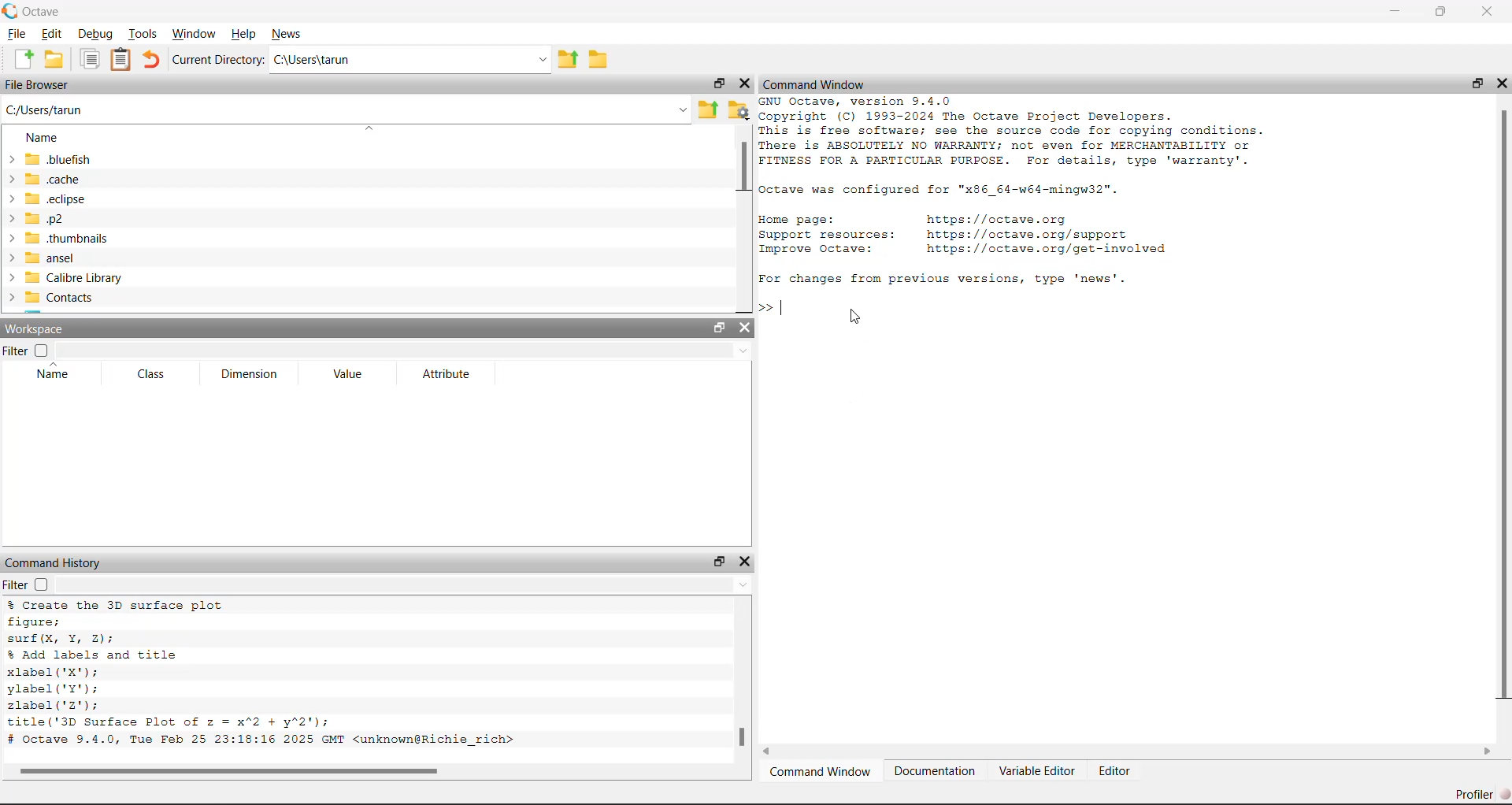 The height and width of the screenshot is (805, 1512). Describe the element at coordinates (42, 348) in the screenshot. I see `Checkbox` at that location.